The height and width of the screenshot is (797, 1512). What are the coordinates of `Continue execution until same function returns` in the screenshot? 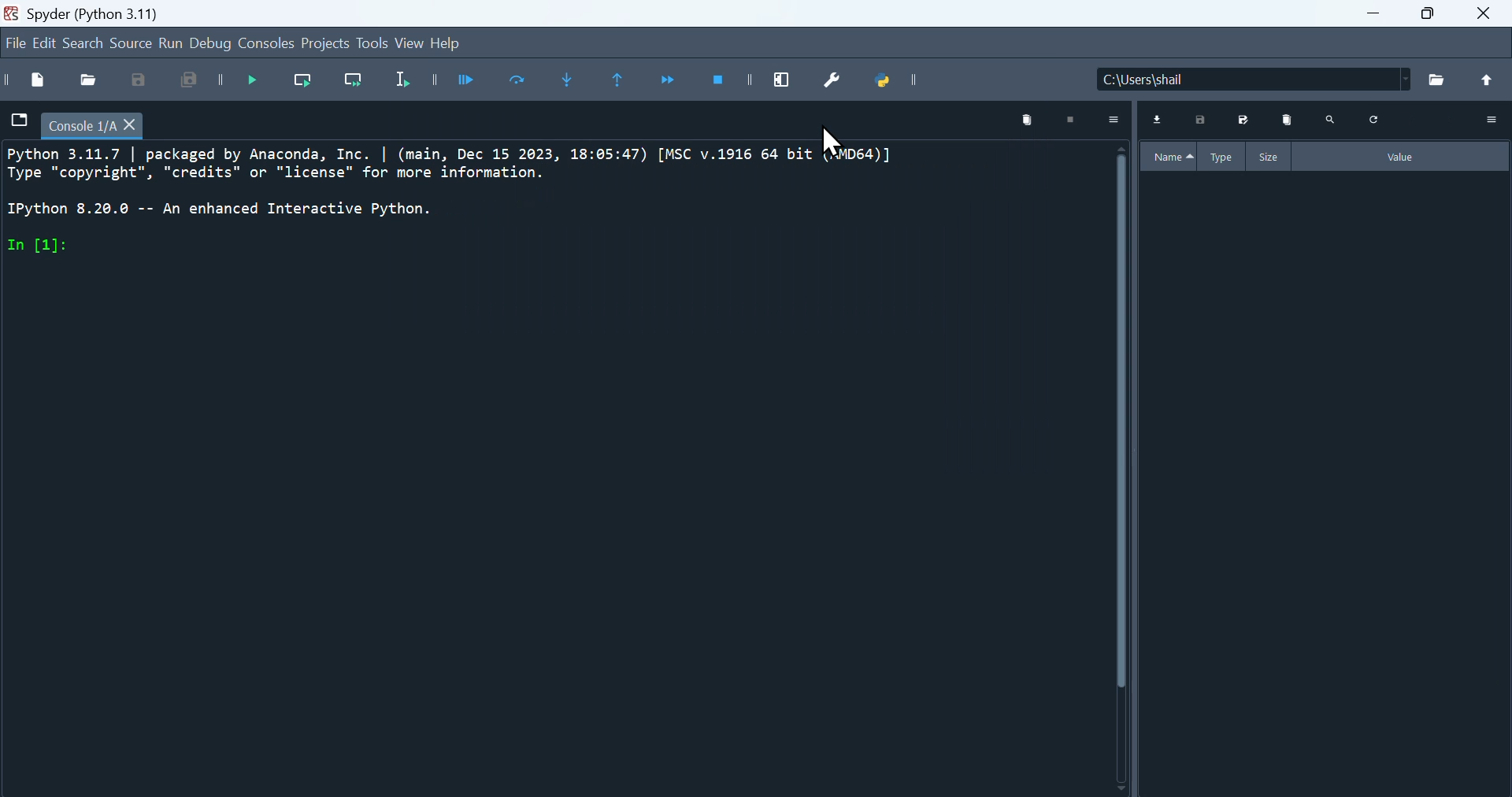 It's located at (624, 81).